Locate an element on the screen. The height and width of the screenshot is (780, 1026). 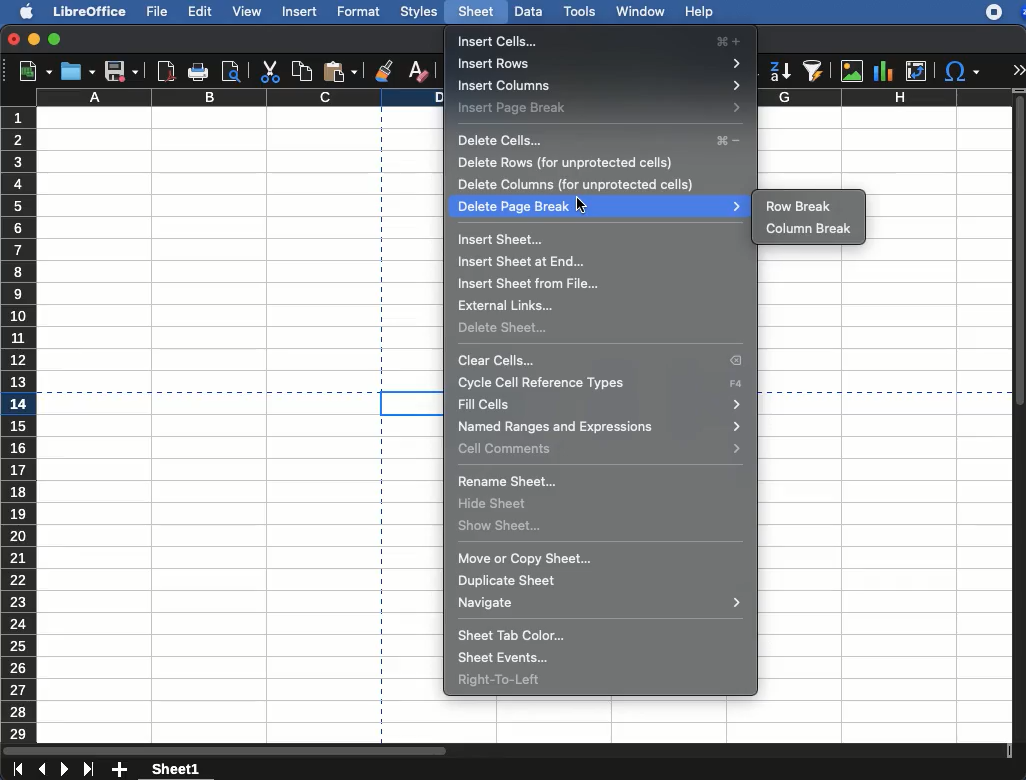
edit is located at coordinates (199, 12).